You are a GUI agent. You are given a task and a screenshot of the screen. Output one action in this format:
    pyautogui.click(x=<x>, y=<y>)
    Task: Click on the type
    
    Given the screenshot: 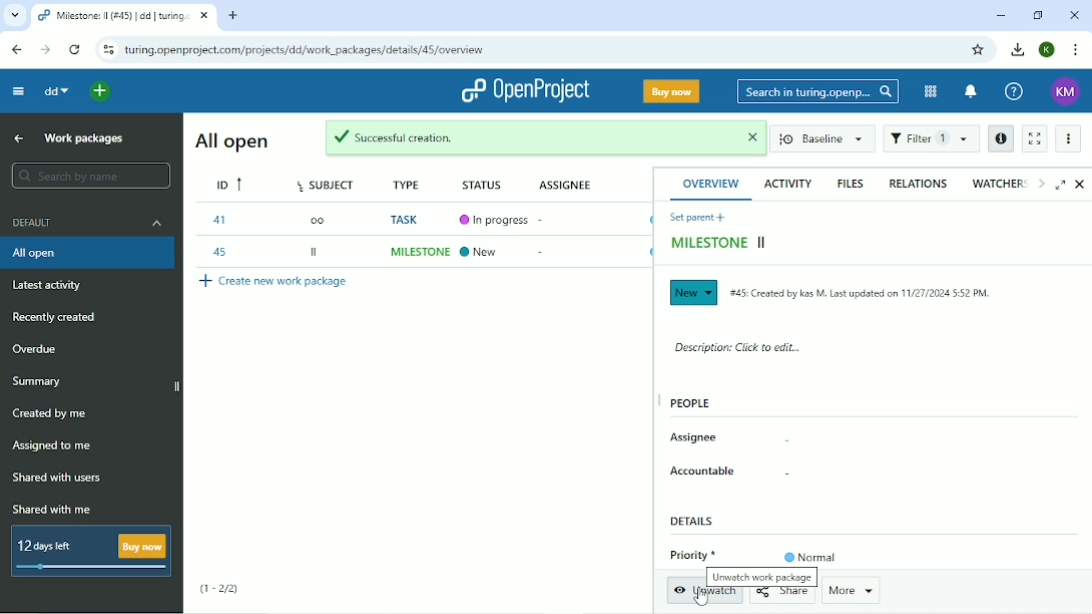 What is the action you would take?
    pyautogui.click(x=410, y=183)
    